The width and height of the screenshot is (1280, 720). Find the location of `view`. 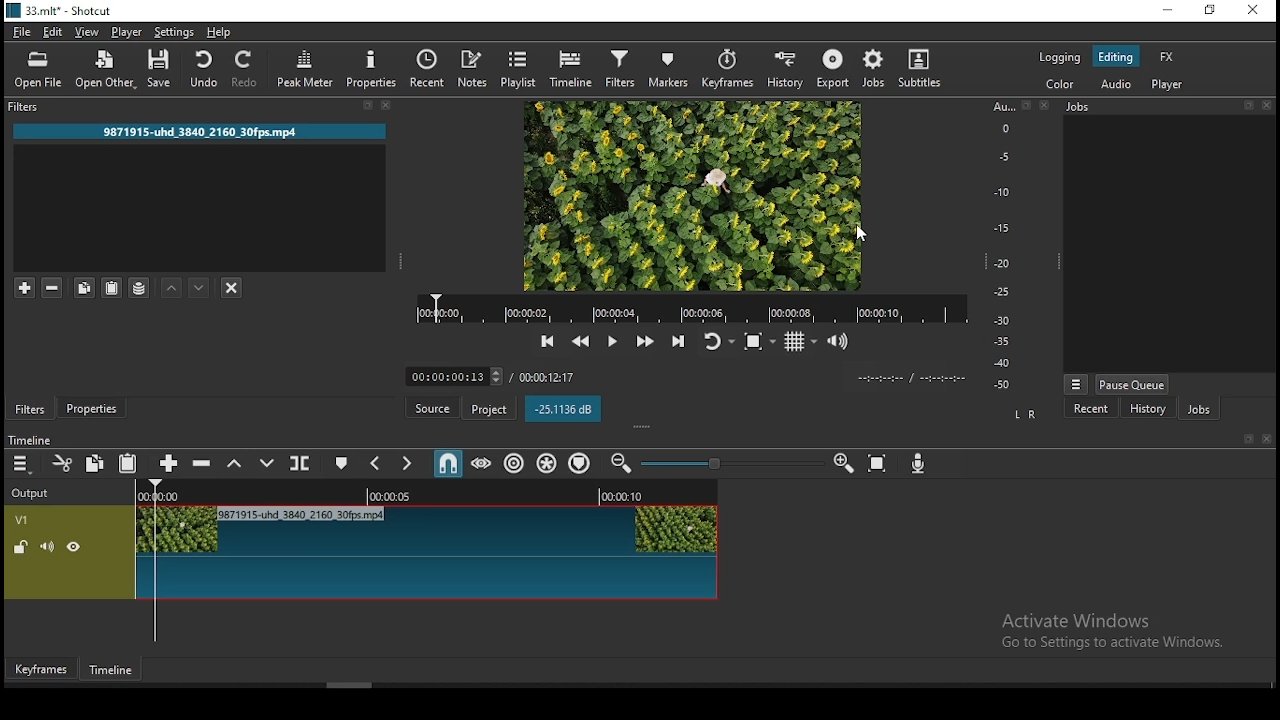

view is located at coordinates (87, 31).